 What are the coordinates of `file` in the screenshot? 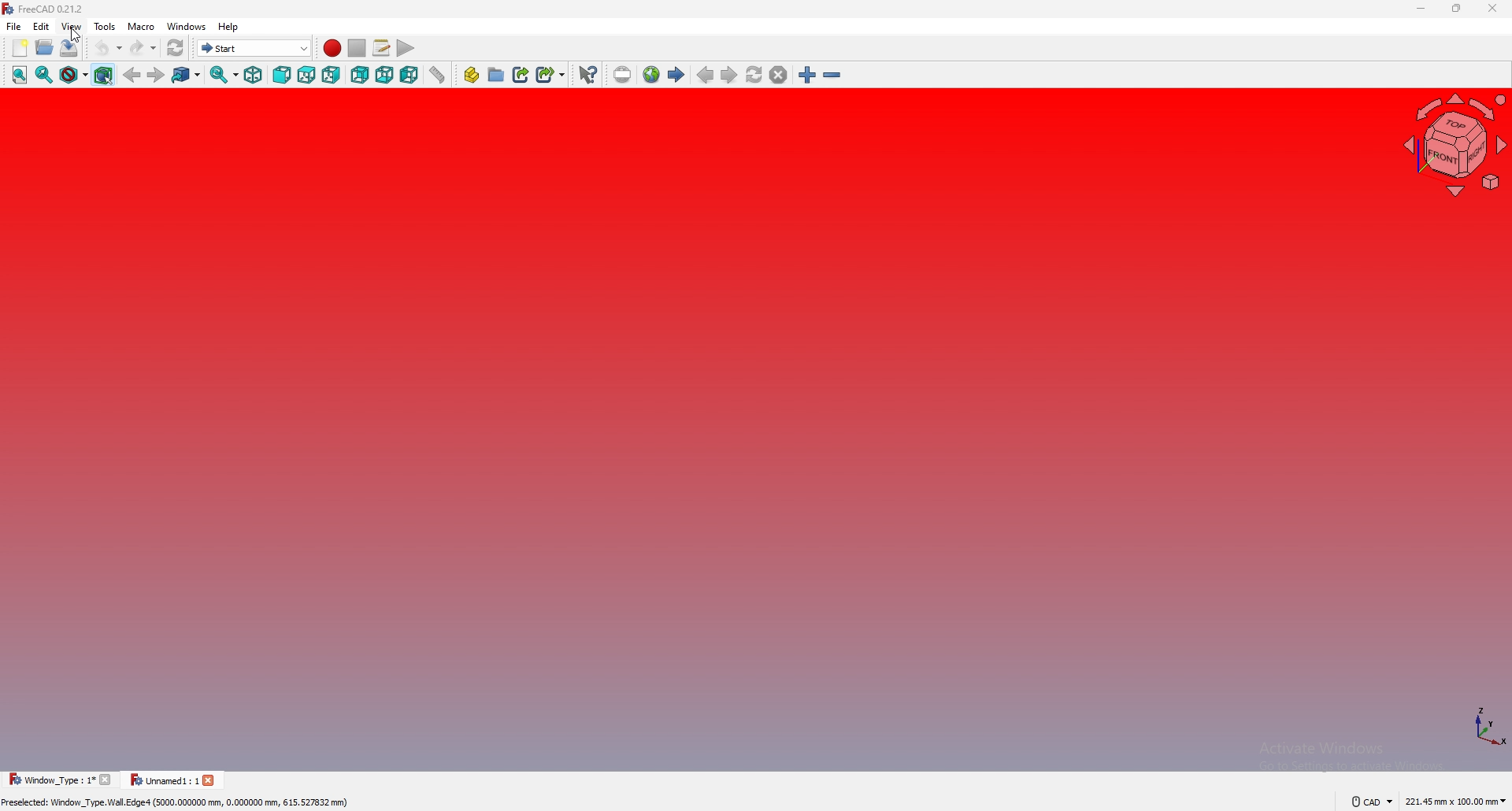 It's located at (13, 26).